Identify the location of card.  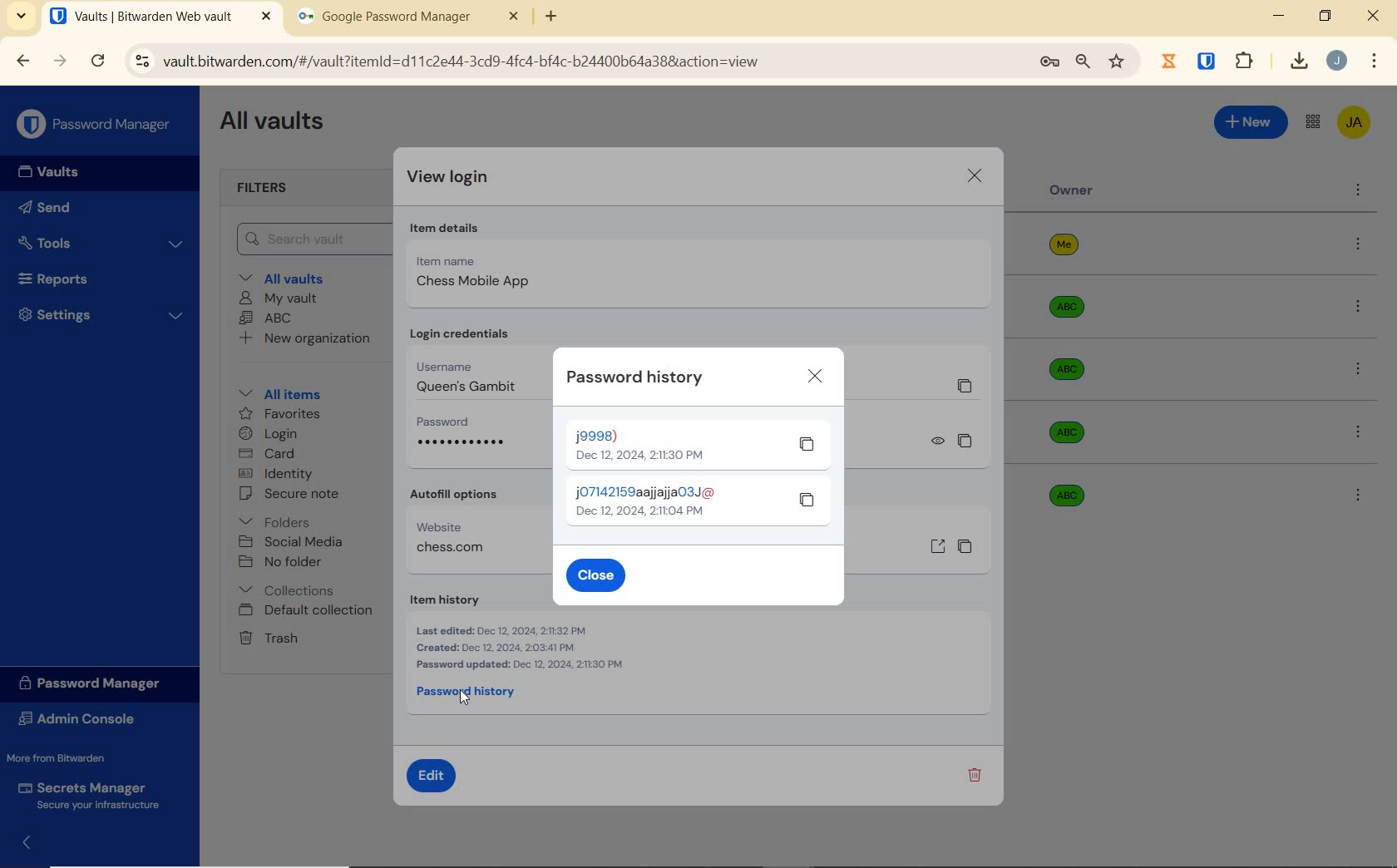
(269, 454).